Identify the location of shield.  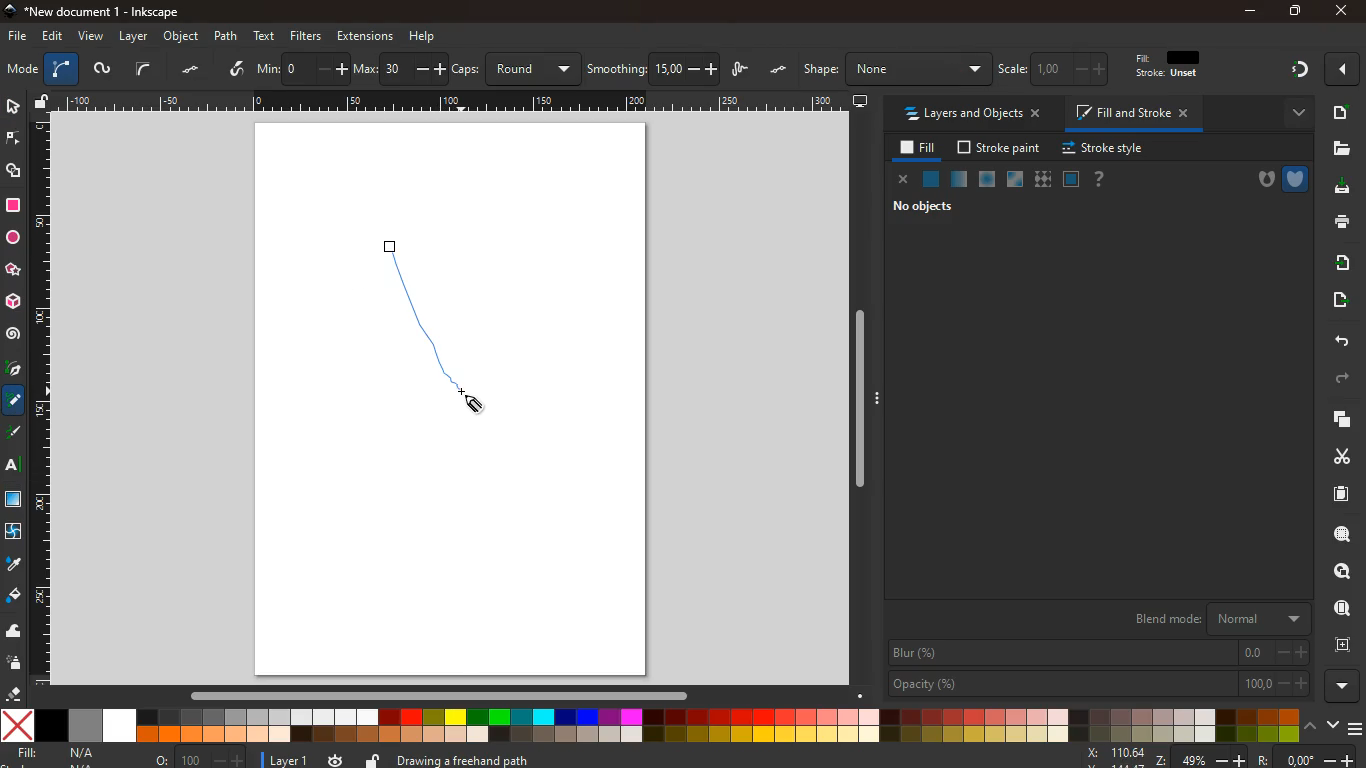
(1297, 179).